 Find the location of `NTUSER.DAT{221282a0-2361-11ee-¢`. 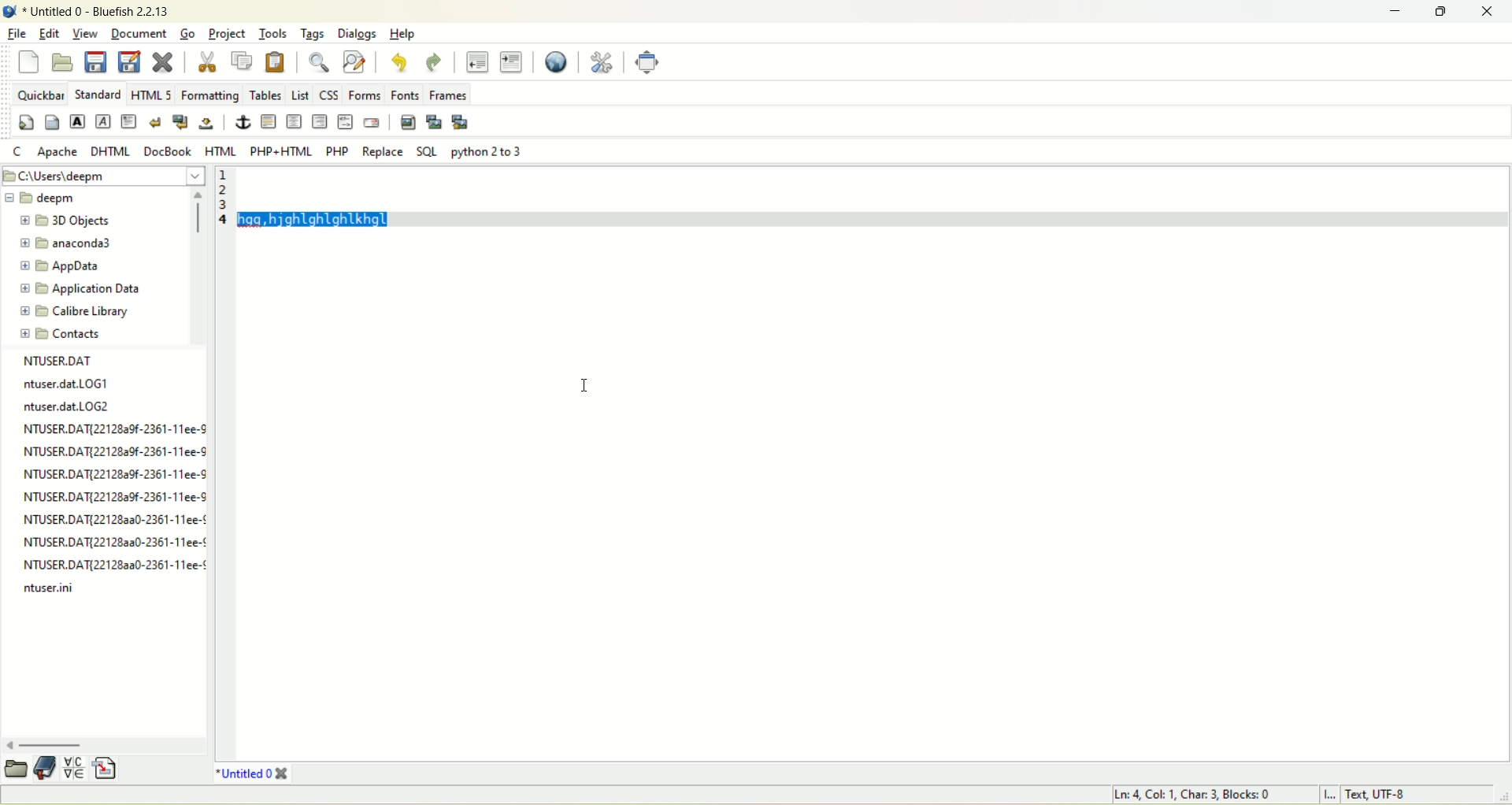

NTUSER.DAT{221282a0-2361-11ee-¢ is located at coordinates (113, 563).